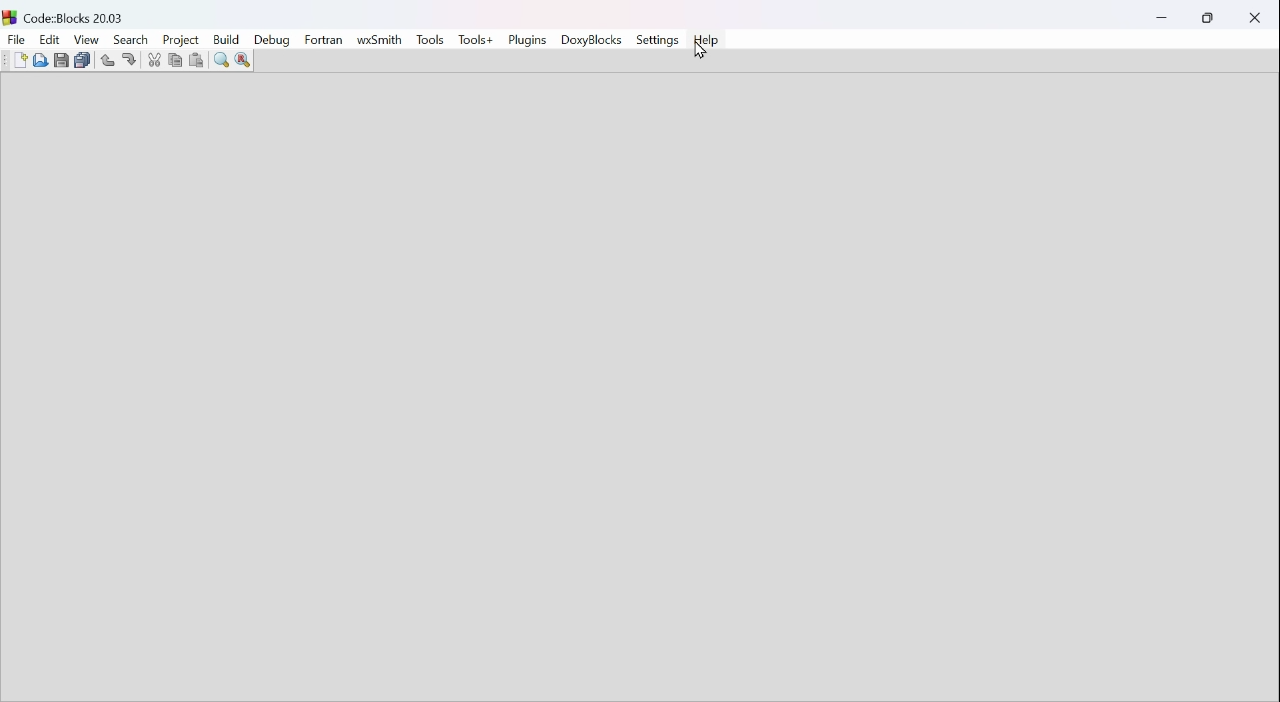  What do you see at coordinates (82, 63) in the screenshot?
I see `Save all` at bounding box center [82, 63].